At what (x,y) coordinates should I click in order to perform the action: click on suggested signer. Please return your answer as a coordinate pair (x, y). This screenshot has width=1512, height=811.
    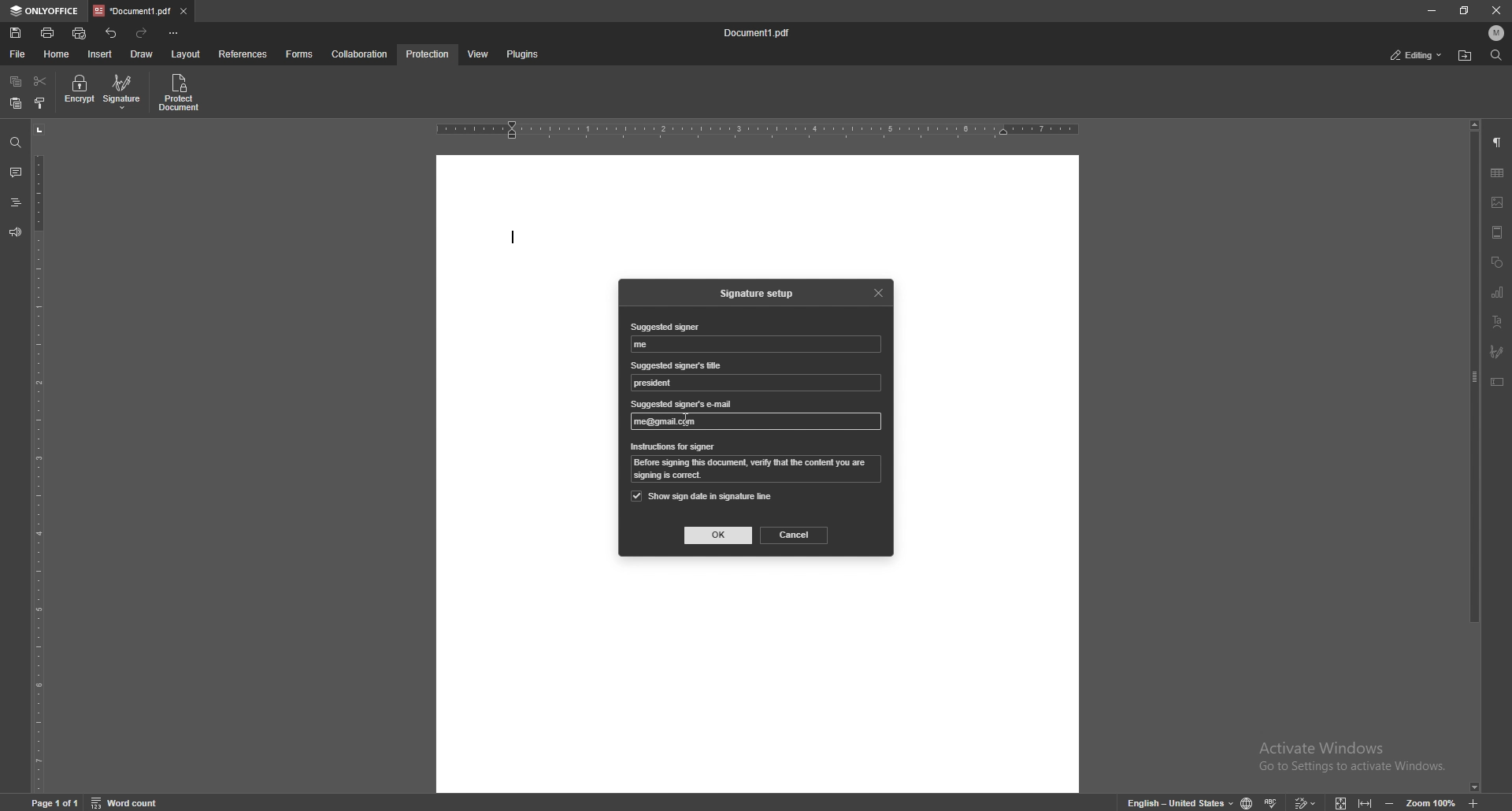
    Looking at the image, I should click on (647, 345).